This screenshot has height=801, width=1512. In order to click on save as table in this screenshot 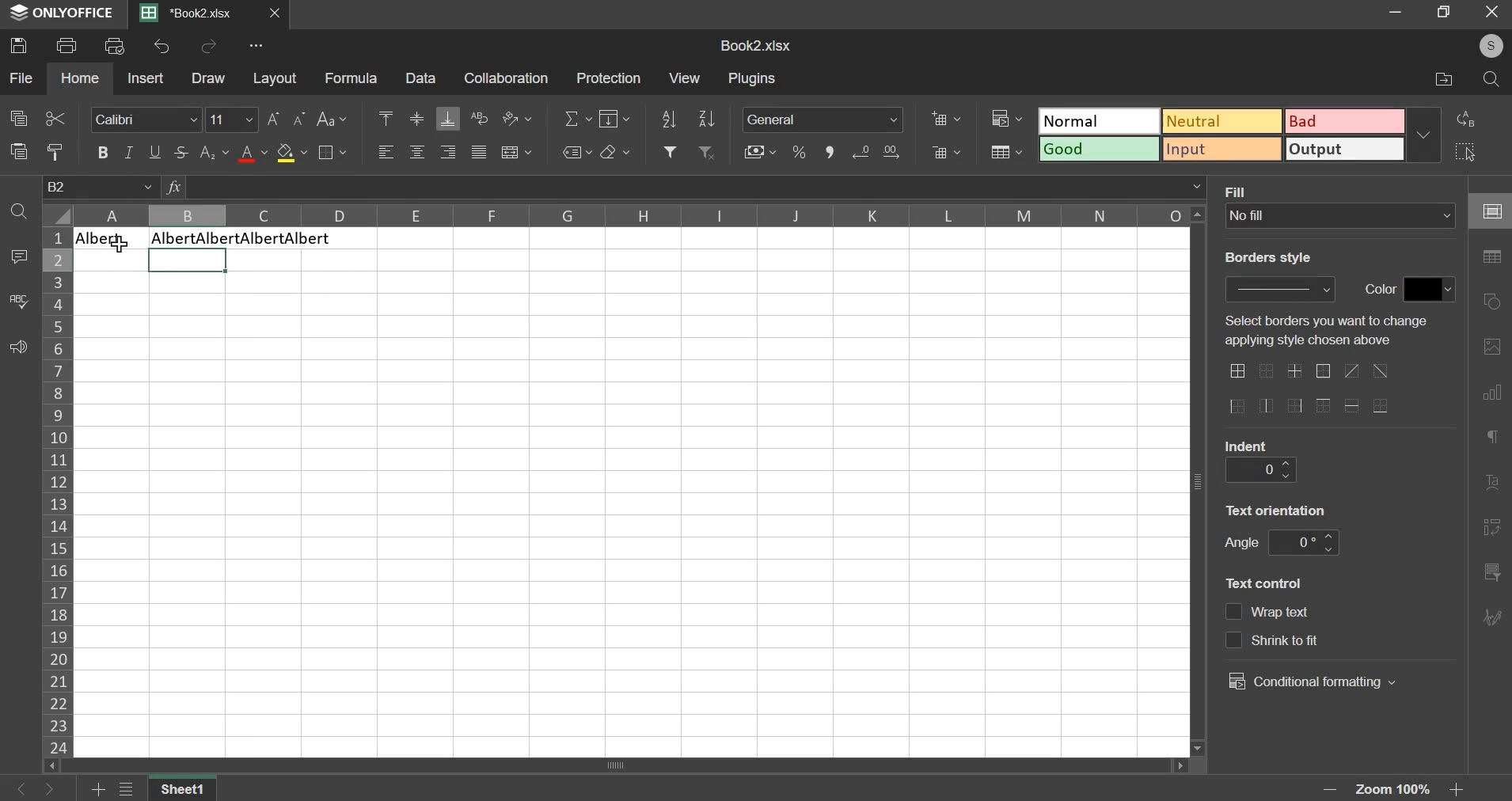, I will do `click(1006, 152)`.